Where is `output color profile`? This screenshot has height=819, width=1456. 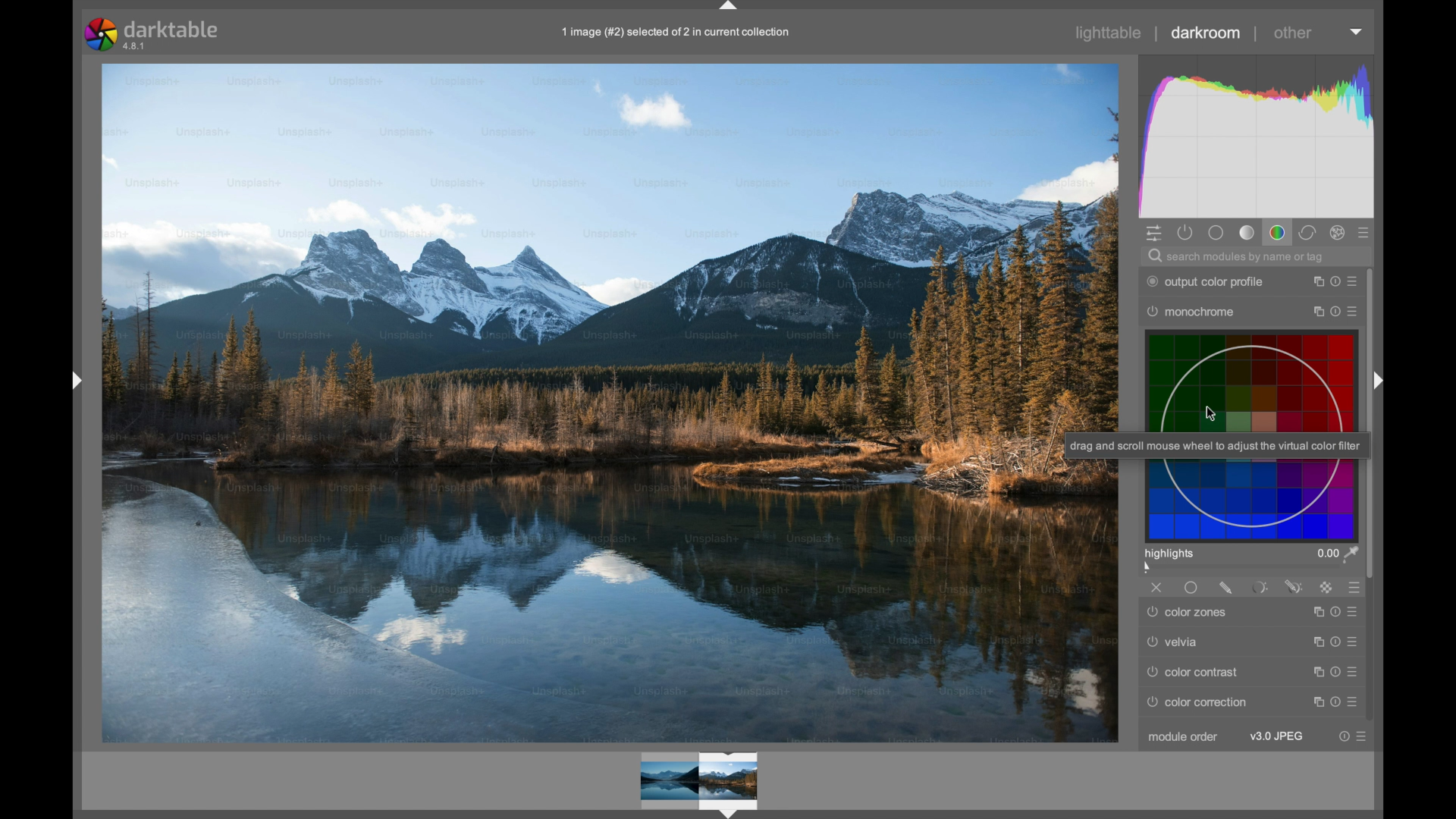 output color profile is located at coordinates (1206, 282).